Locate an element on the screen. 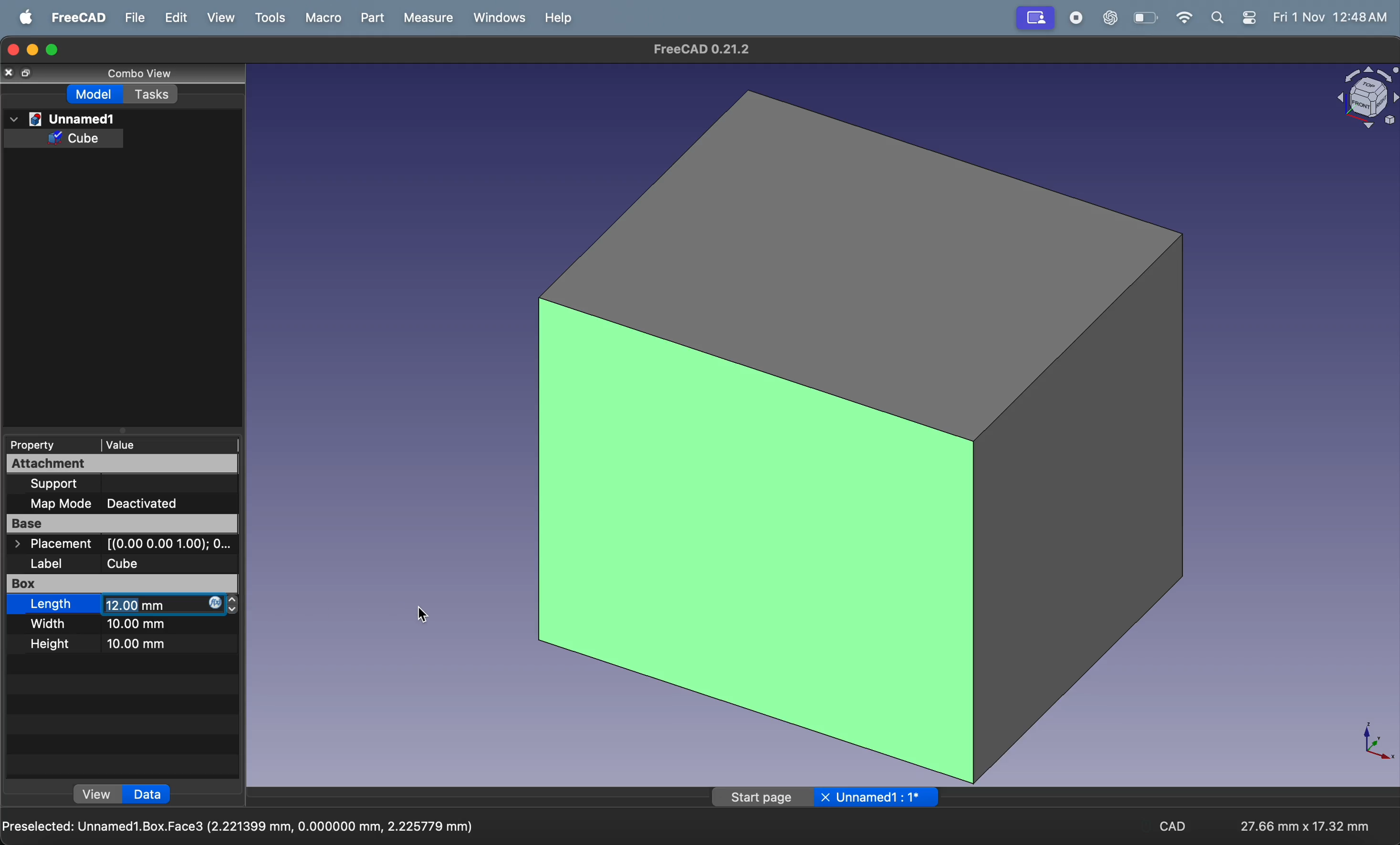 The image size is (1400, 845). file is located at coordinates (129, 18).